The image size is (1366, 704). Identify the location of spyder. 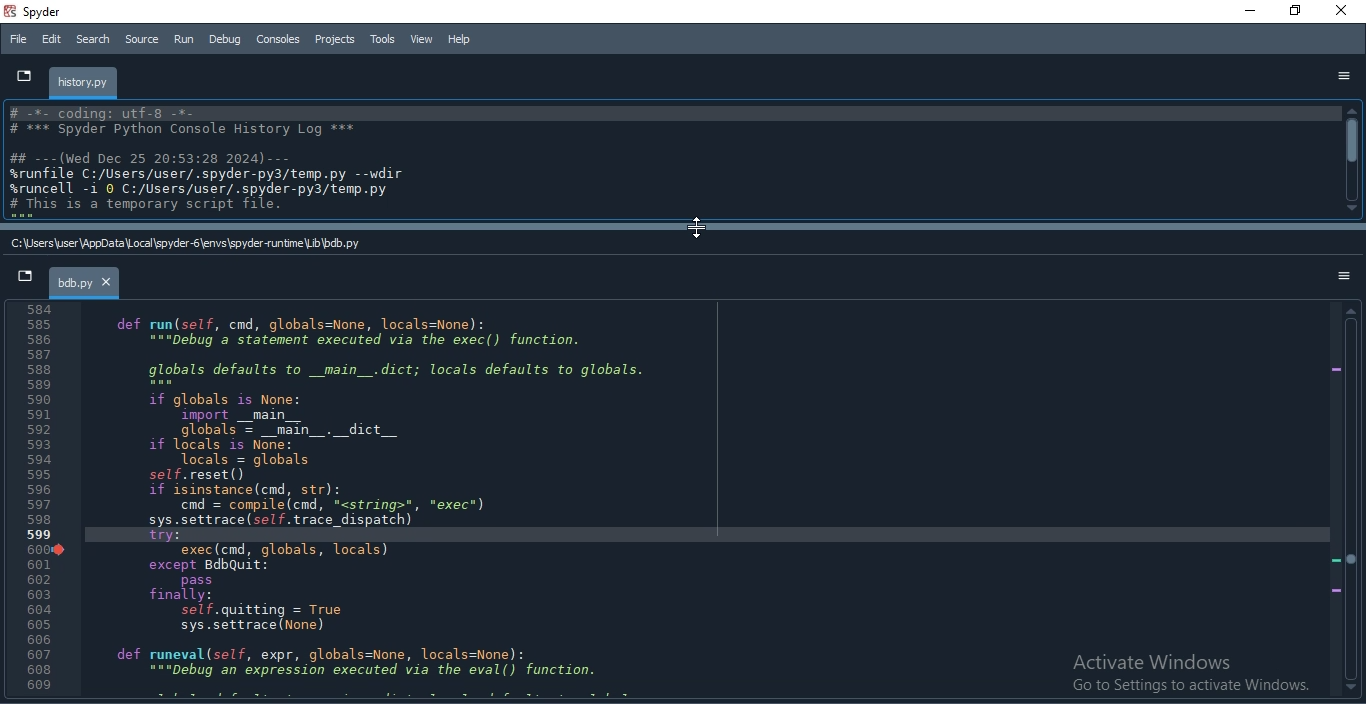
(44, 13).